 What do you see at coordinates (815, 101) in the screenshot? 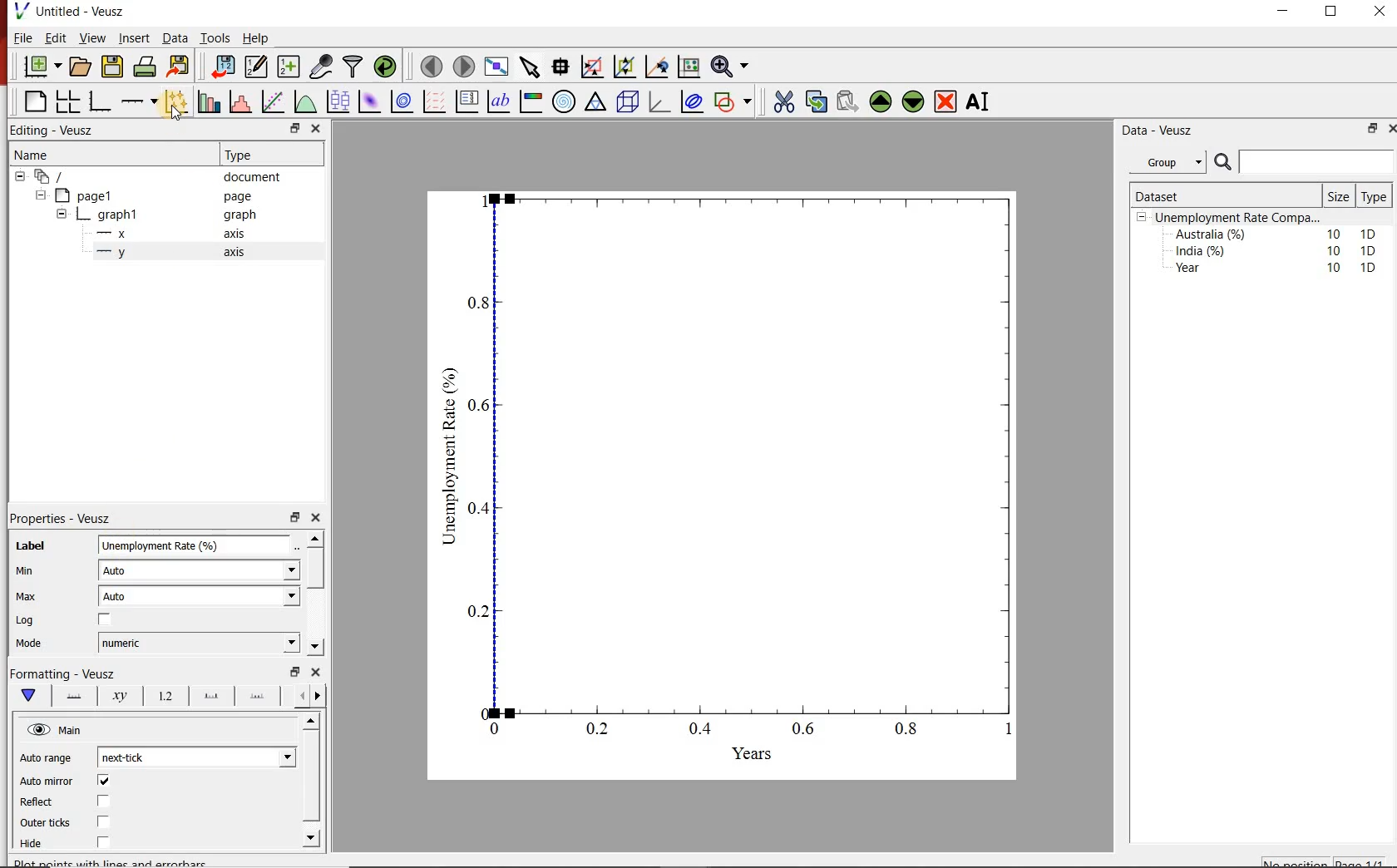
I see `copy the widgets` at bounding box center [815, 101].